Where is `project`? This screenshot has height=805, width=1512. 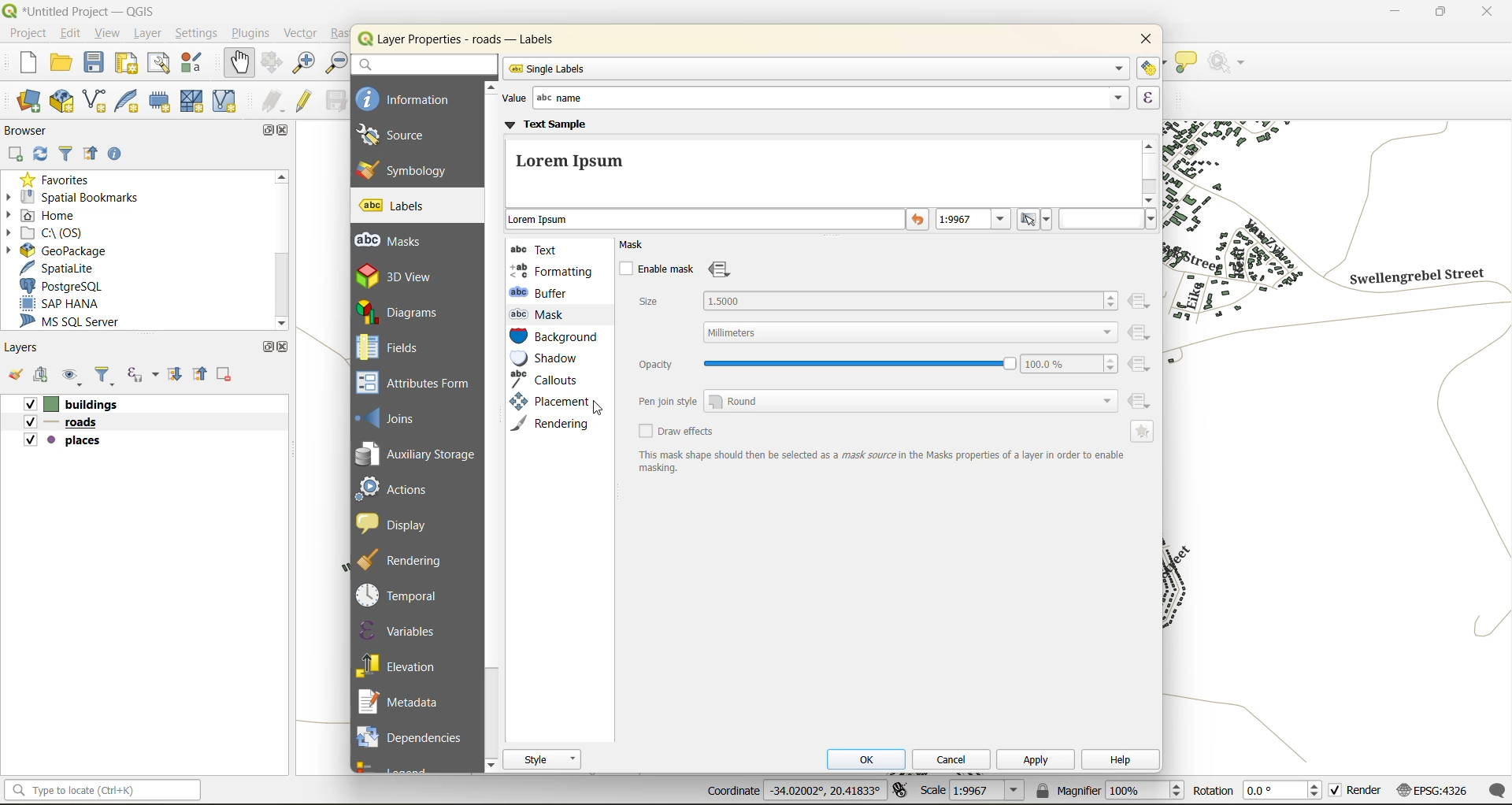
project is located at coordinates (28, 35).